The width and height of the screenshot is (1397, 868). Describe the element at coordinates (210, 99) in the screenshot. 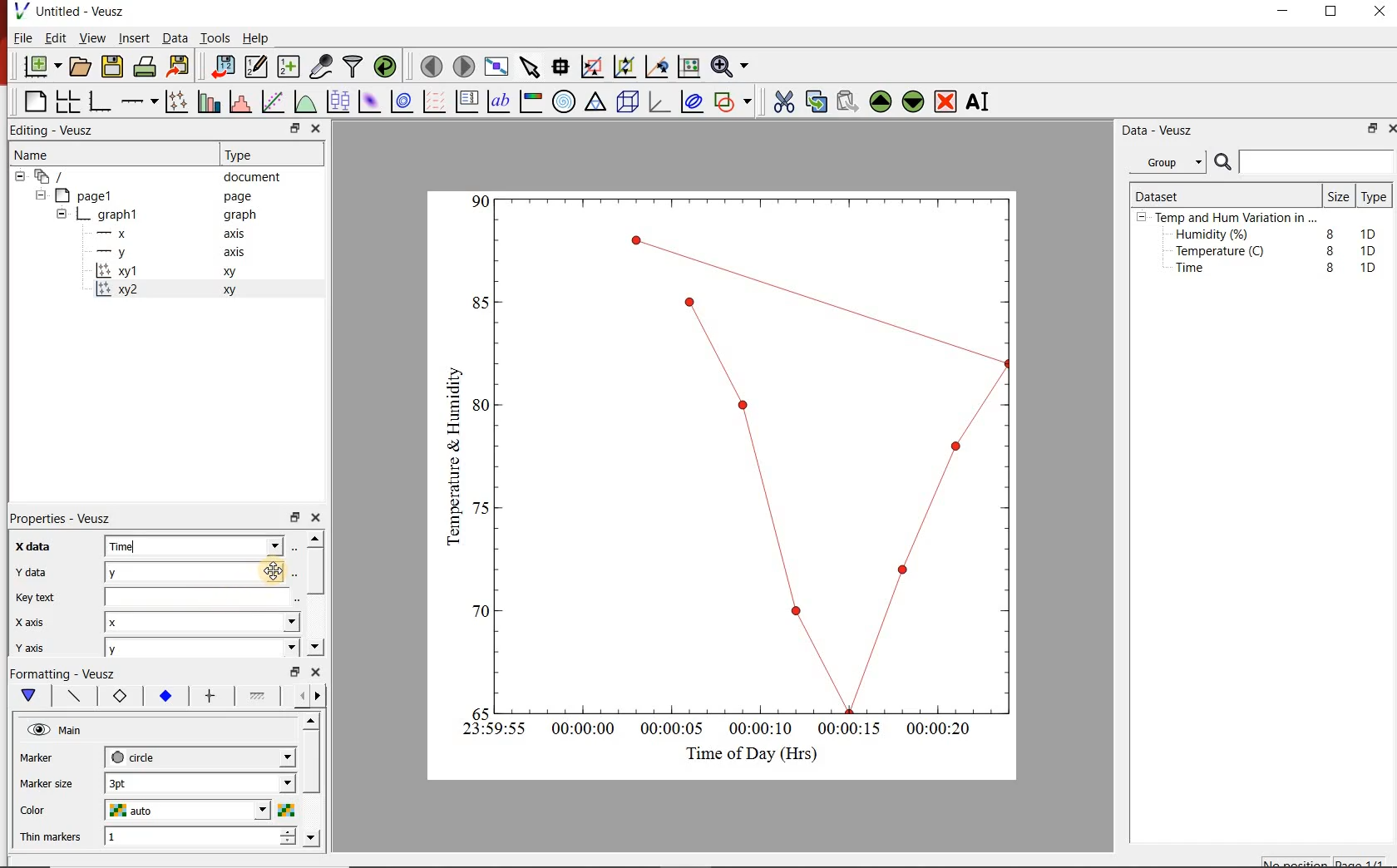

I see `plot bar charts` at that location.